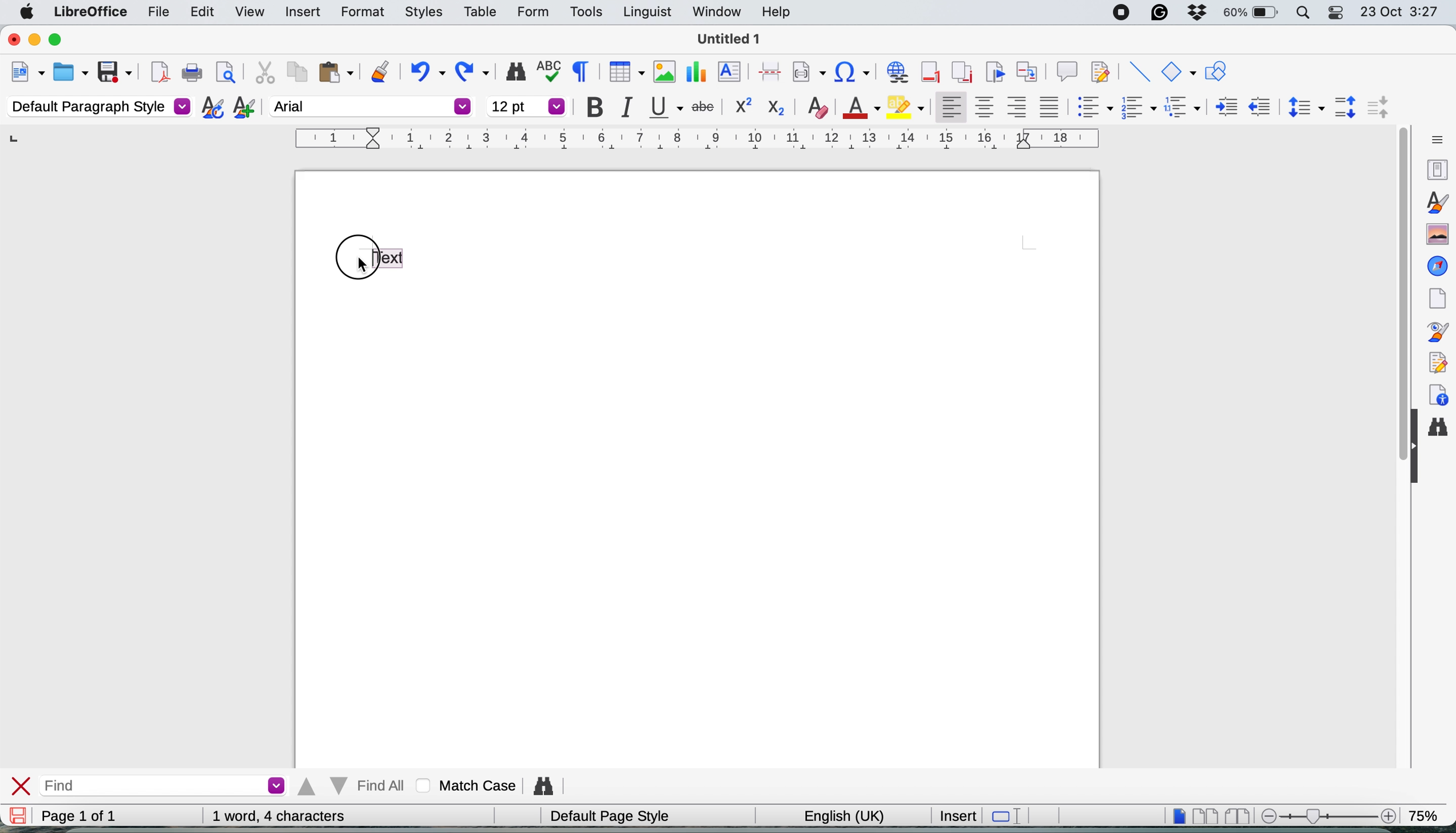 The width and height of the screenshot is (1456, 833). What do you see at coordinates (1415, 453) in the screenshot?
I see `collapse` at bounding box center [1415, 453].